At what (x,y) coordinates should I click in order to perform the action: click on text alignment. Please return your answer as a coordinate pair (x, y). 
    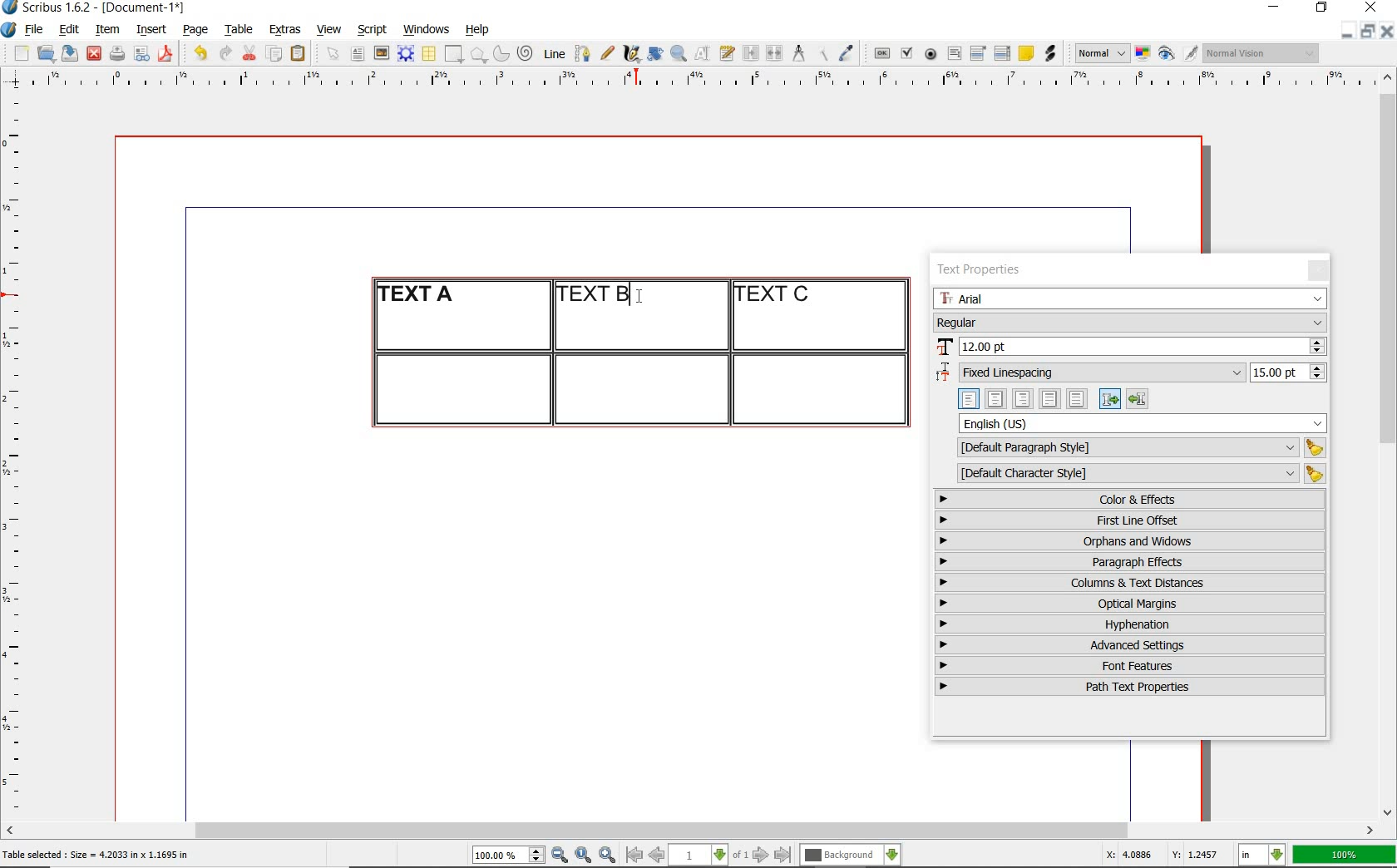
    Looking at the image, I should click on (1053, 398).